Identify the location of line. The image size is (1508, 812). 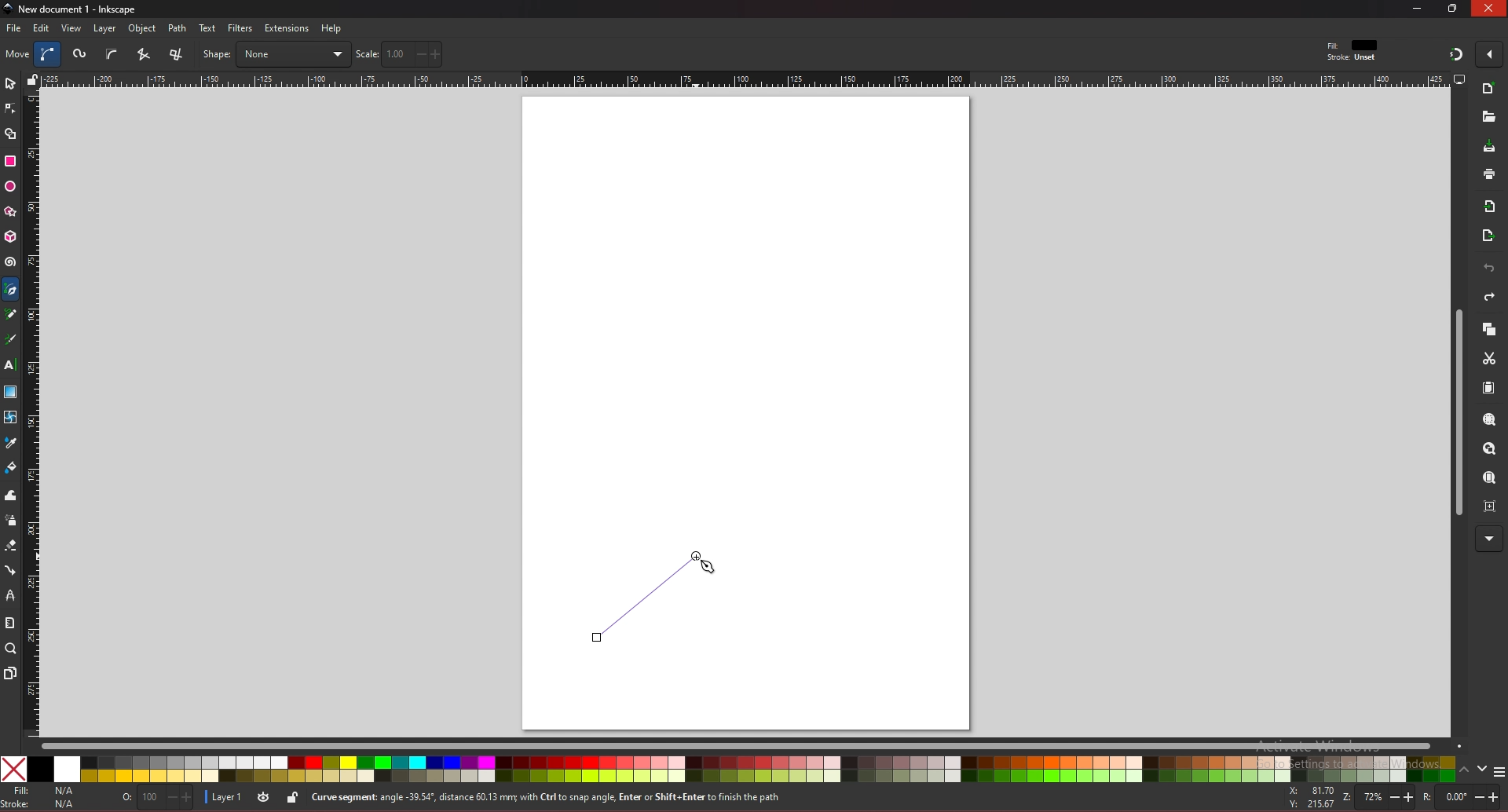
(645, 596).